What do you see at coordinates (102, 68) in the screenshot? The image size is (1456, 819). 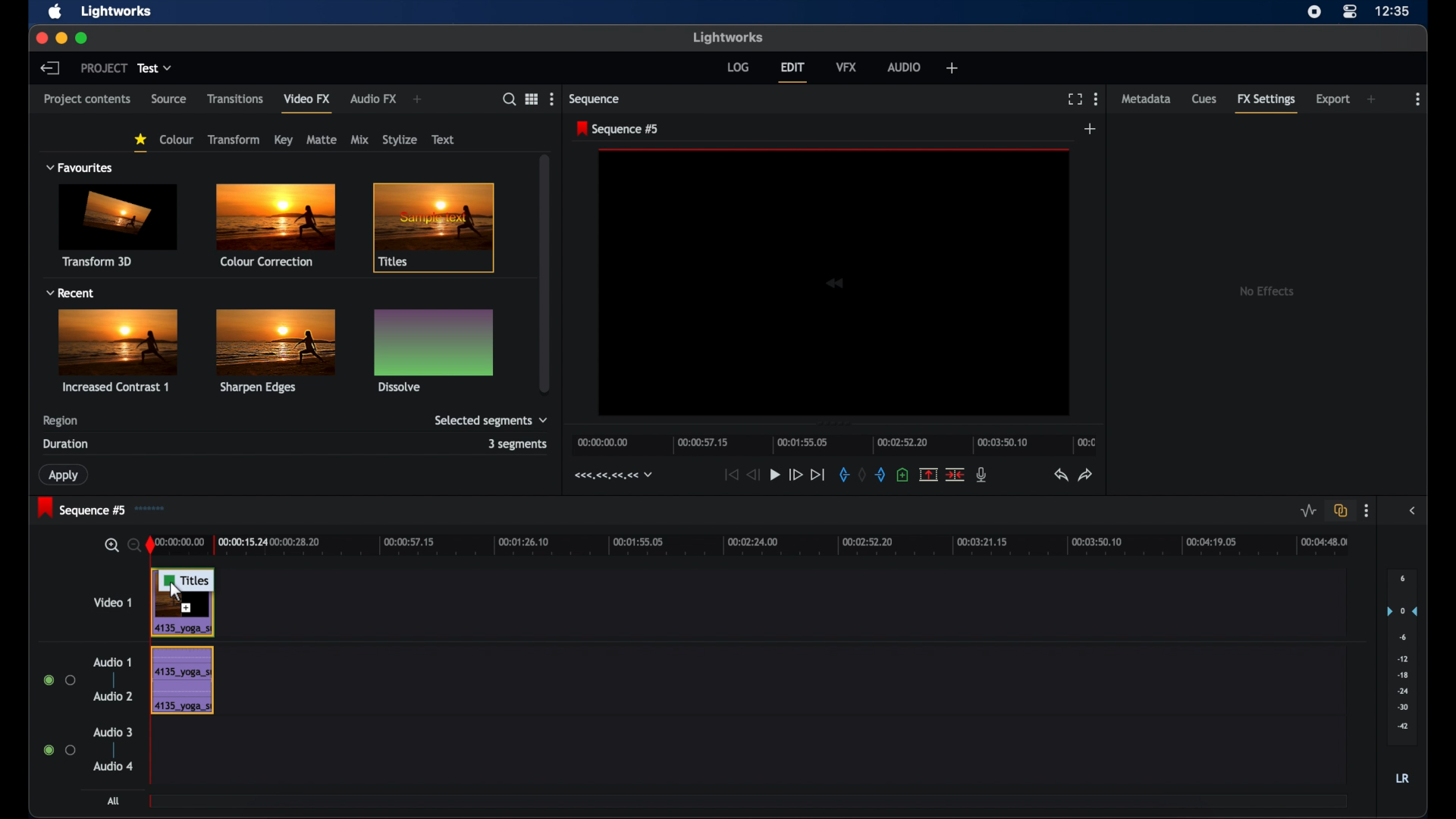 I see `project` at bounding box center [102, 68].